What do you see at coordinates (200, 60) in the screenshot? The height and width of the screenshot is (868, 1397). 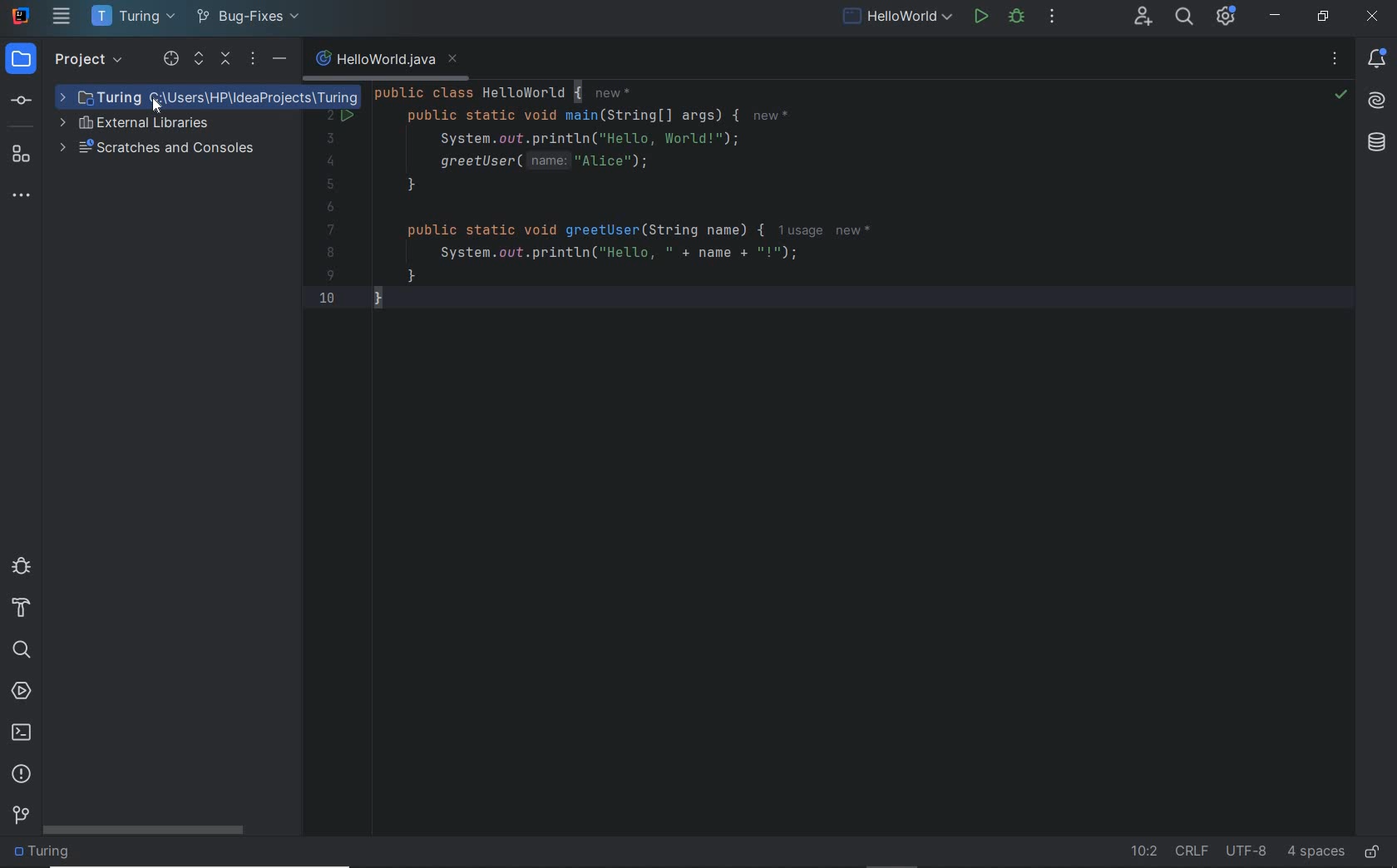 I see `expand` at bounding box center [200, 60].